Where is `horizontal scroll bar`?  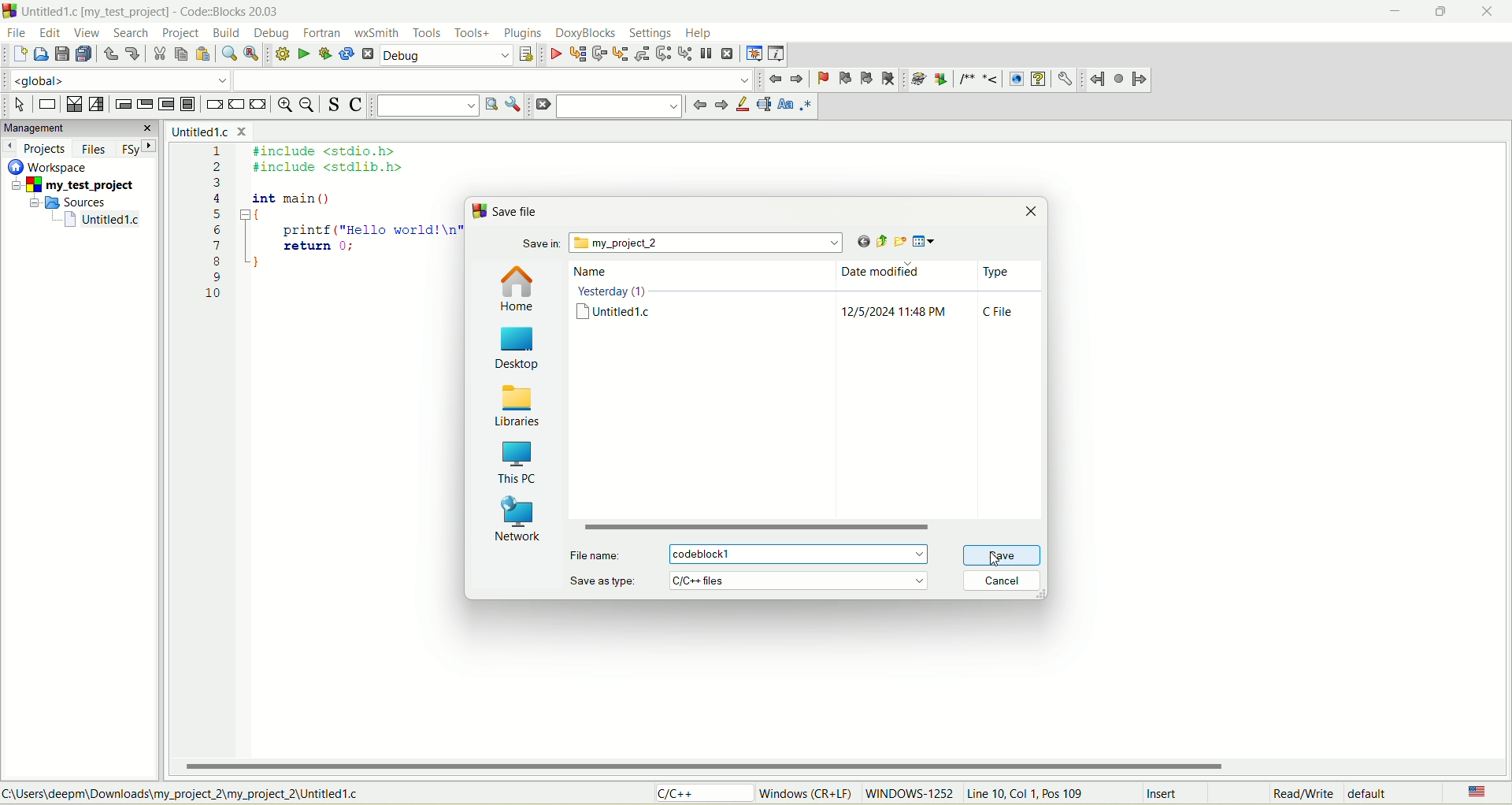
horizontal scroll bar is located at coordinates (842, 766).